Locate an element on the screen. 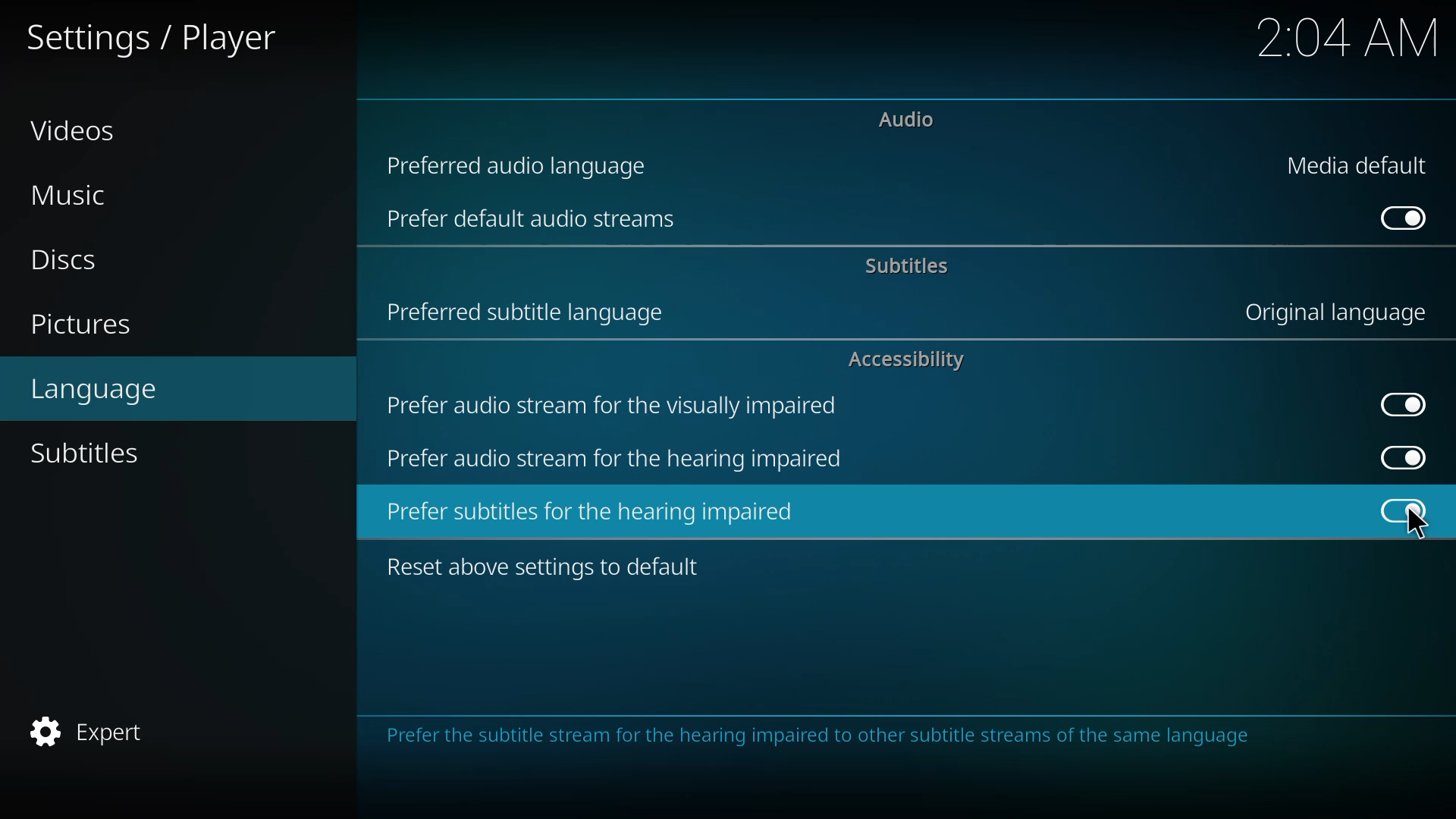  info is located at coordinates (825, 738).